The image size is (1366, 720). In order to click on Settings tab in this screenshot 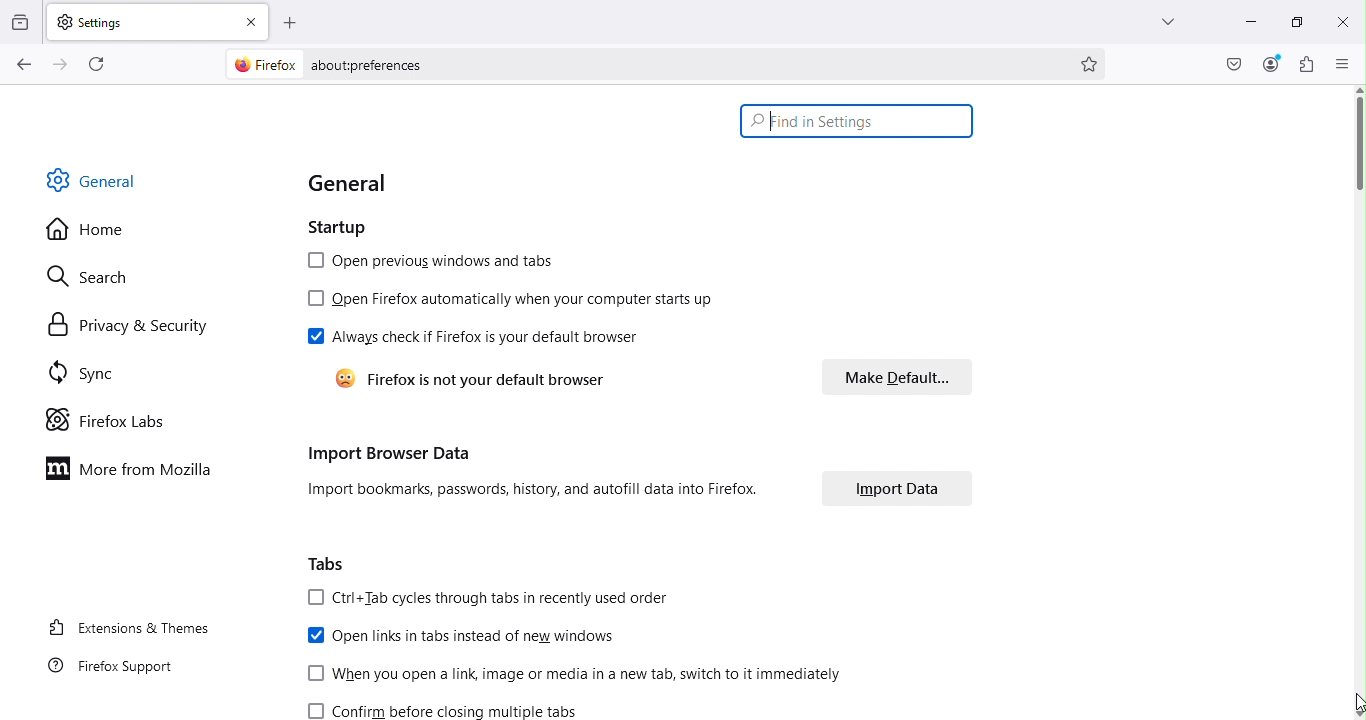, I will do `click(139, 20)`.